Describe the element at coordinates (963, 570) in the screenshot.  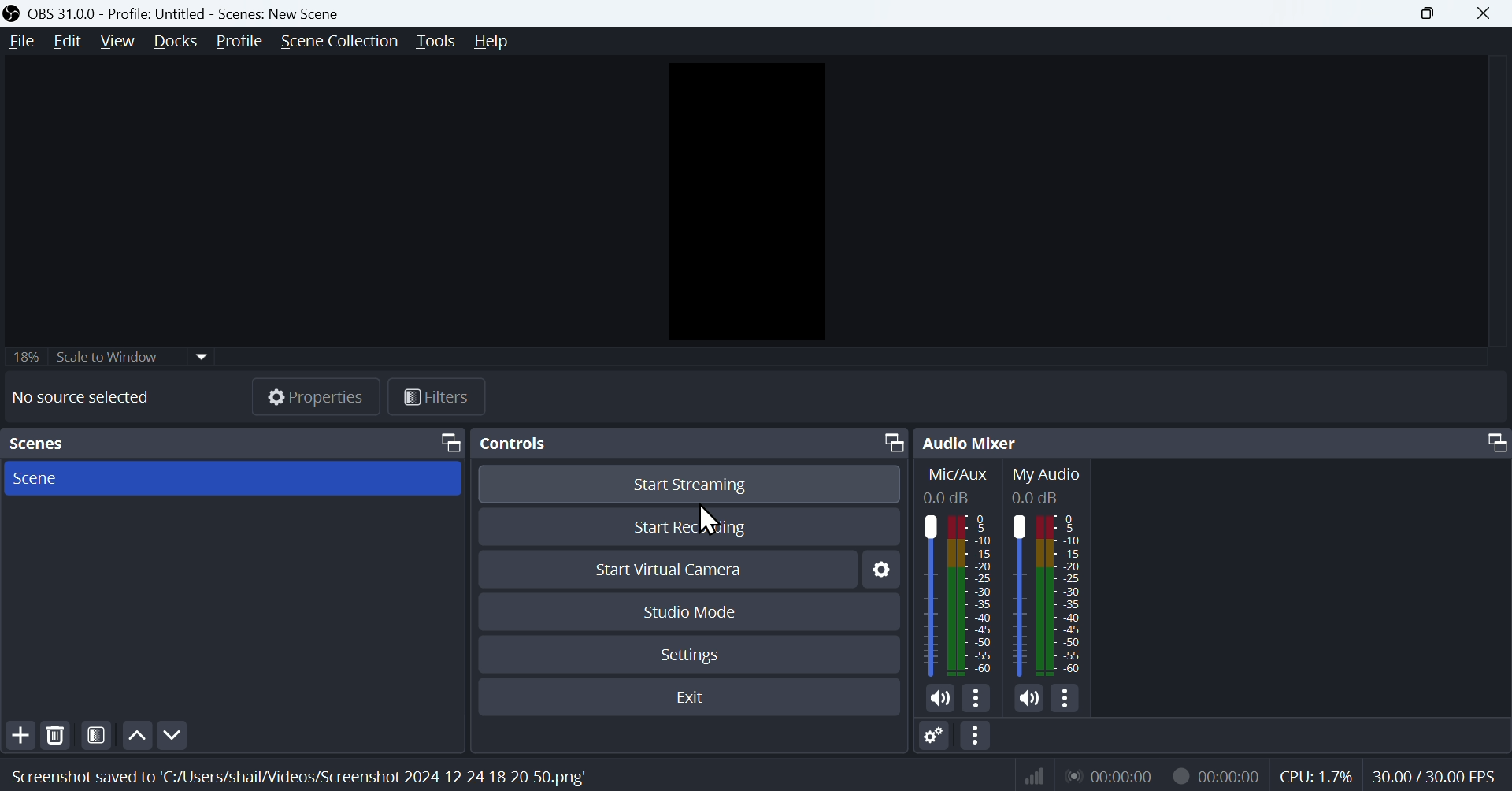
I see `Mic/Aux` at that location.